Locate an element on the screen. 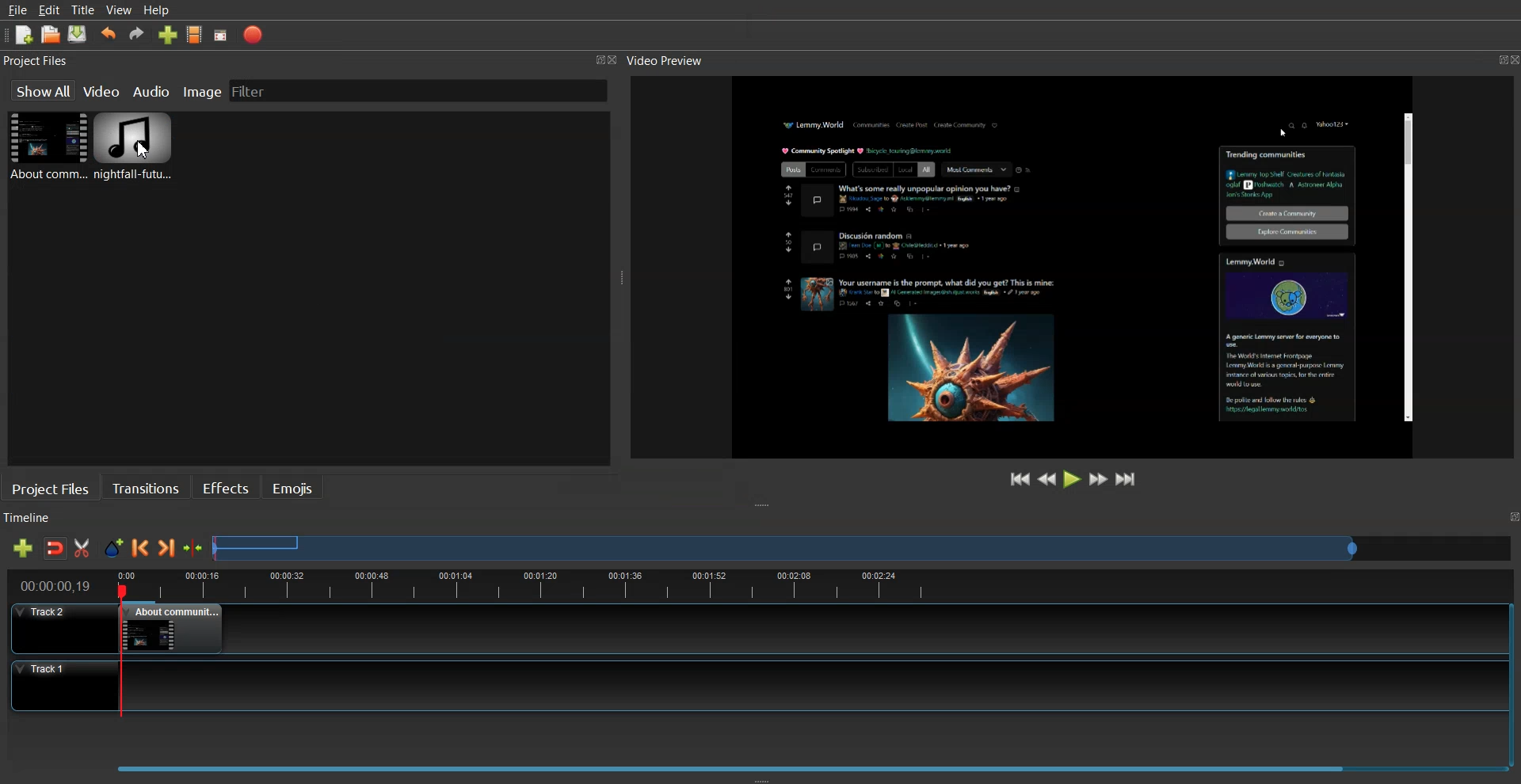  Saved Project is located at coordinates (78, 34).